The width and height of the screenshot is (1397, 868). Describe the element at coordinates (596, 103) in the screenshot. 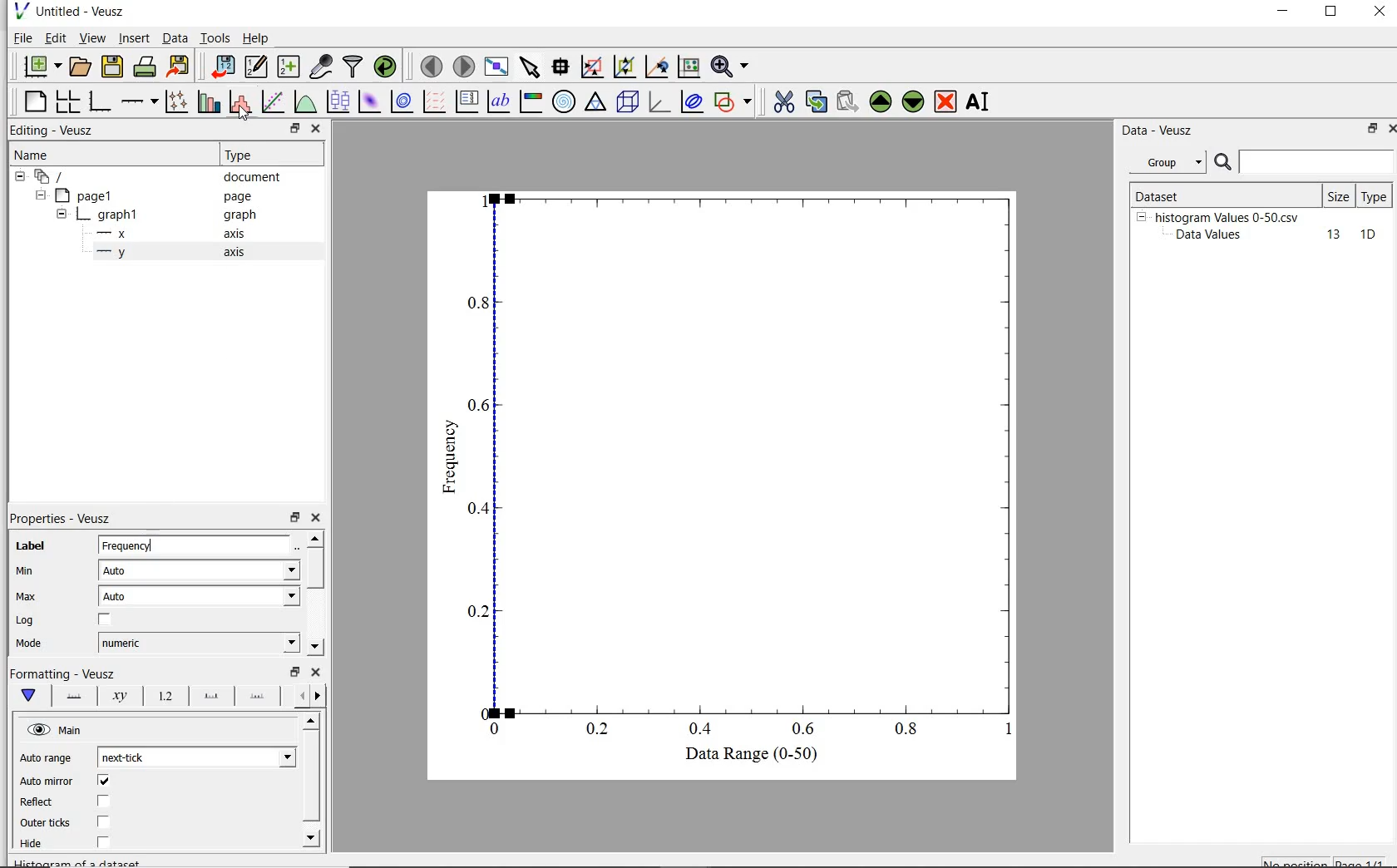

I see `ternary graph` at that location.